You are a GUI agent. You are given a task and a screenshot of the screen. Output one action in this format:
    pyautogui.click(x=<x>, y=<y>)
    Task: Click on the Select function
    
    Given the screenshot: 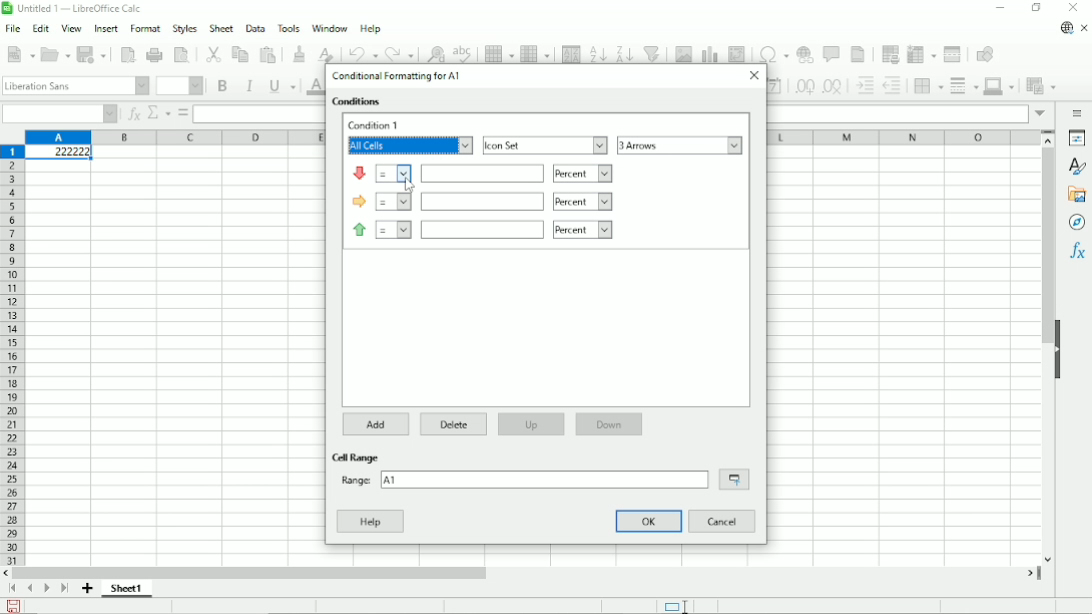 What is the action you would take?
    pyautogui.click(x=159, y=113)
    